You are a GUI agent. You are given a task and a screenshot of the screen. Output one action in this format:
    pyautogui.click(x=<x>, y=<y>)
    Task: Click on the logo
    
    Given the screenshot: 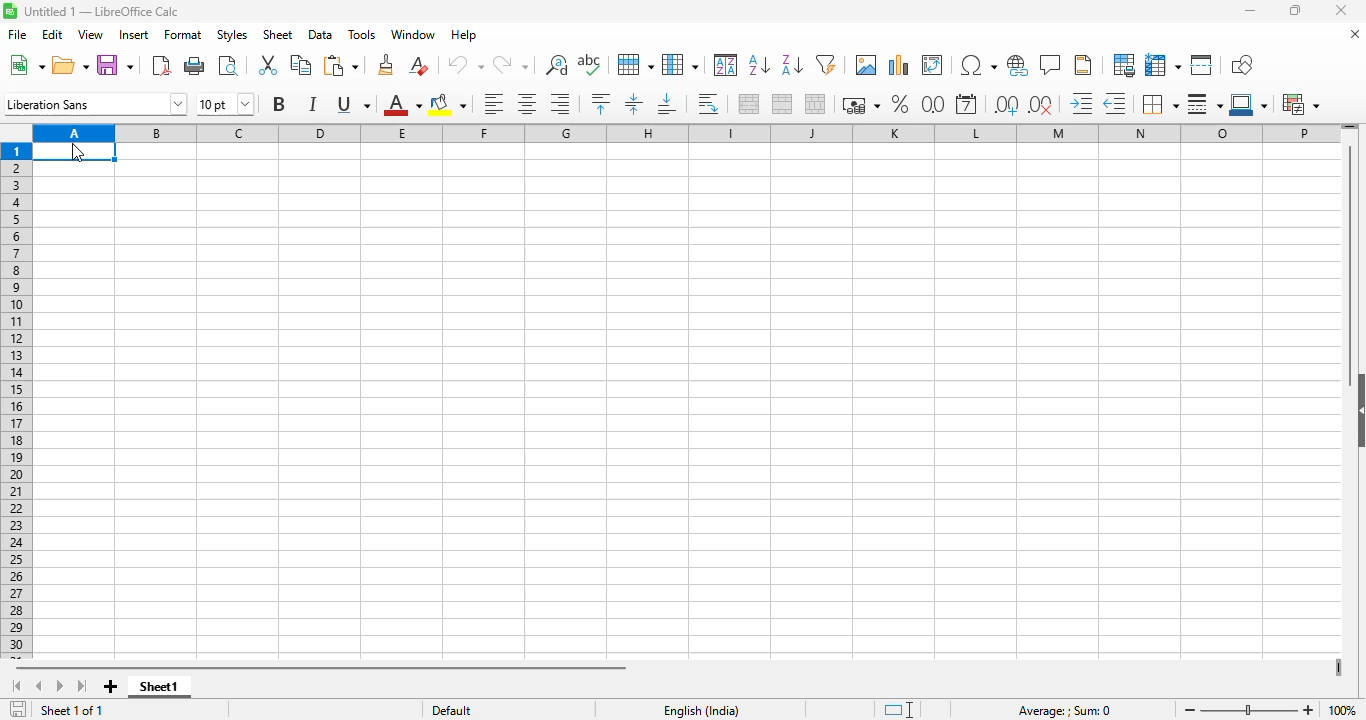 What is the action you would take?
    pyautogui.click(x=10, y=11)
    